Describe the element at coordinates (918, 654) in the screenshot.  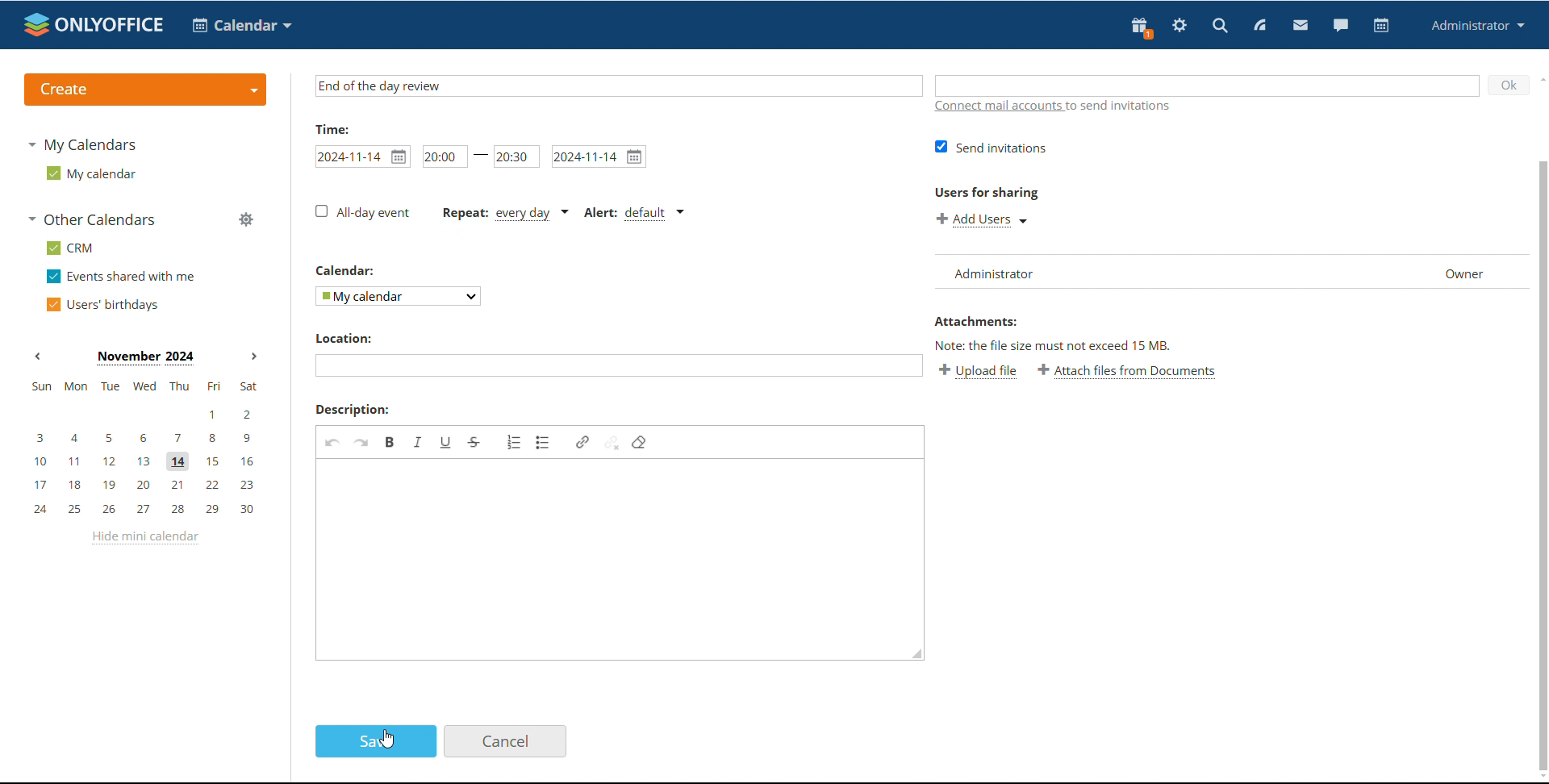
I see `Resize box` at that location.